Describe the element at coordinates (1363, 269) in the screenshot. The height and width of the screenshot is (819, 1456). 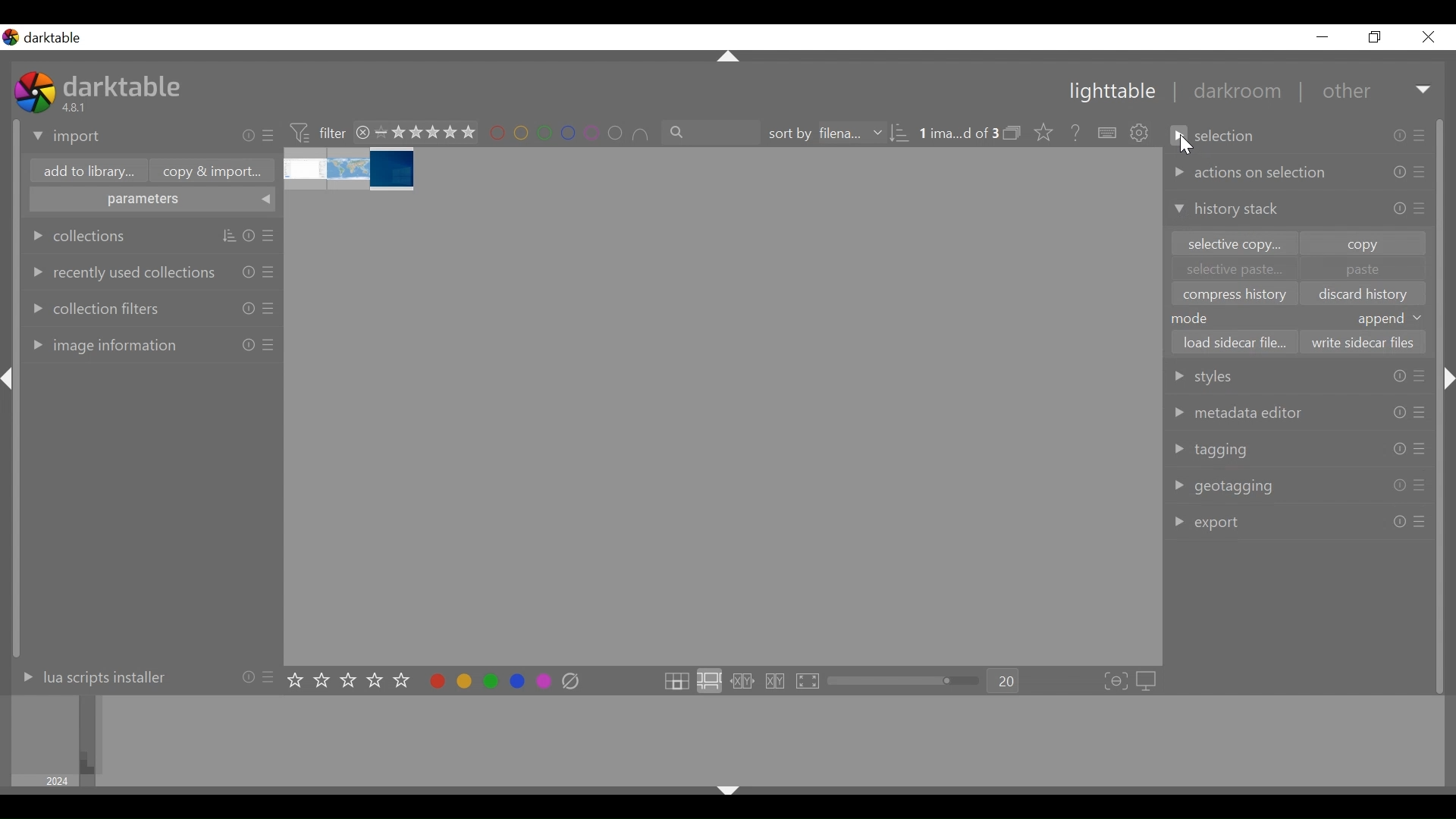
I see `paste` at that location.